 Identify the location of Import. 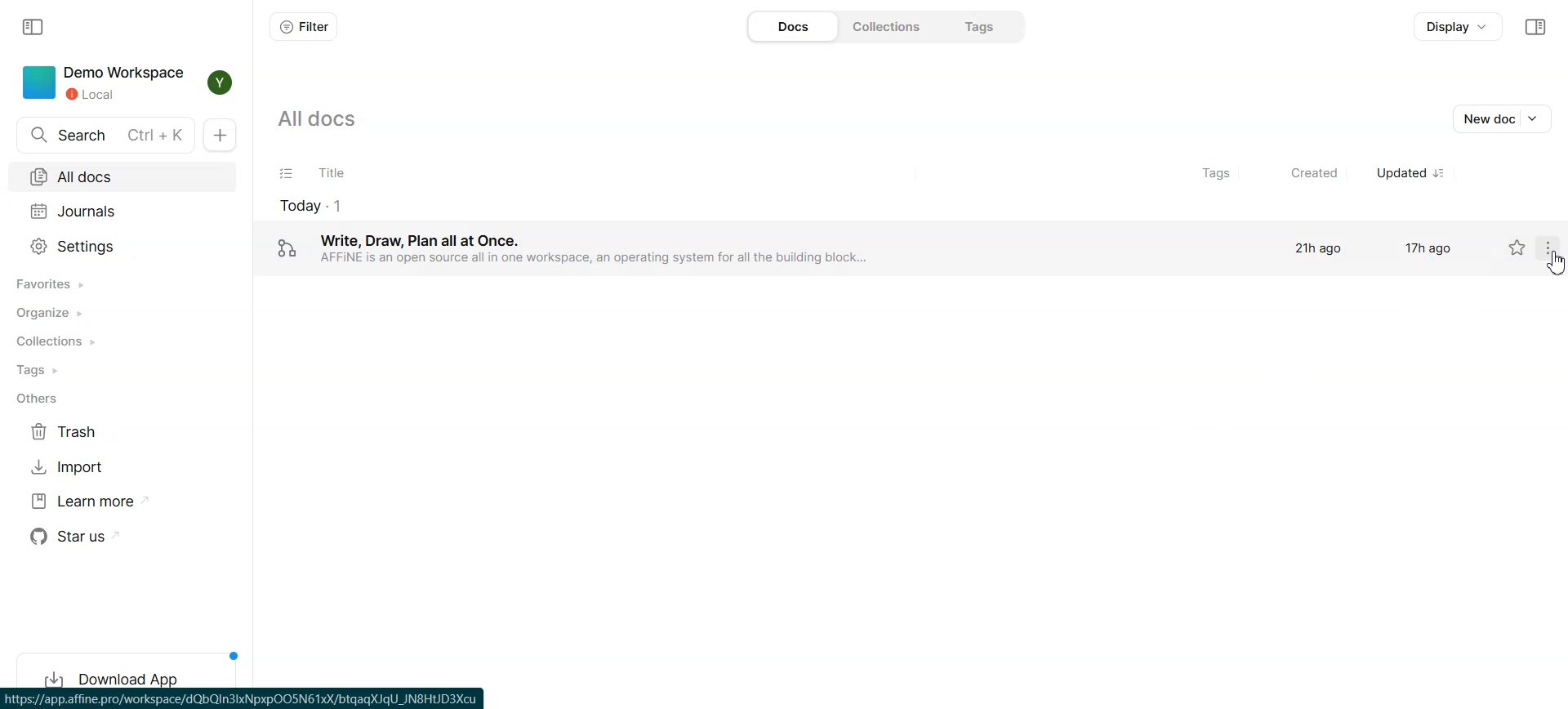
(124, 468).